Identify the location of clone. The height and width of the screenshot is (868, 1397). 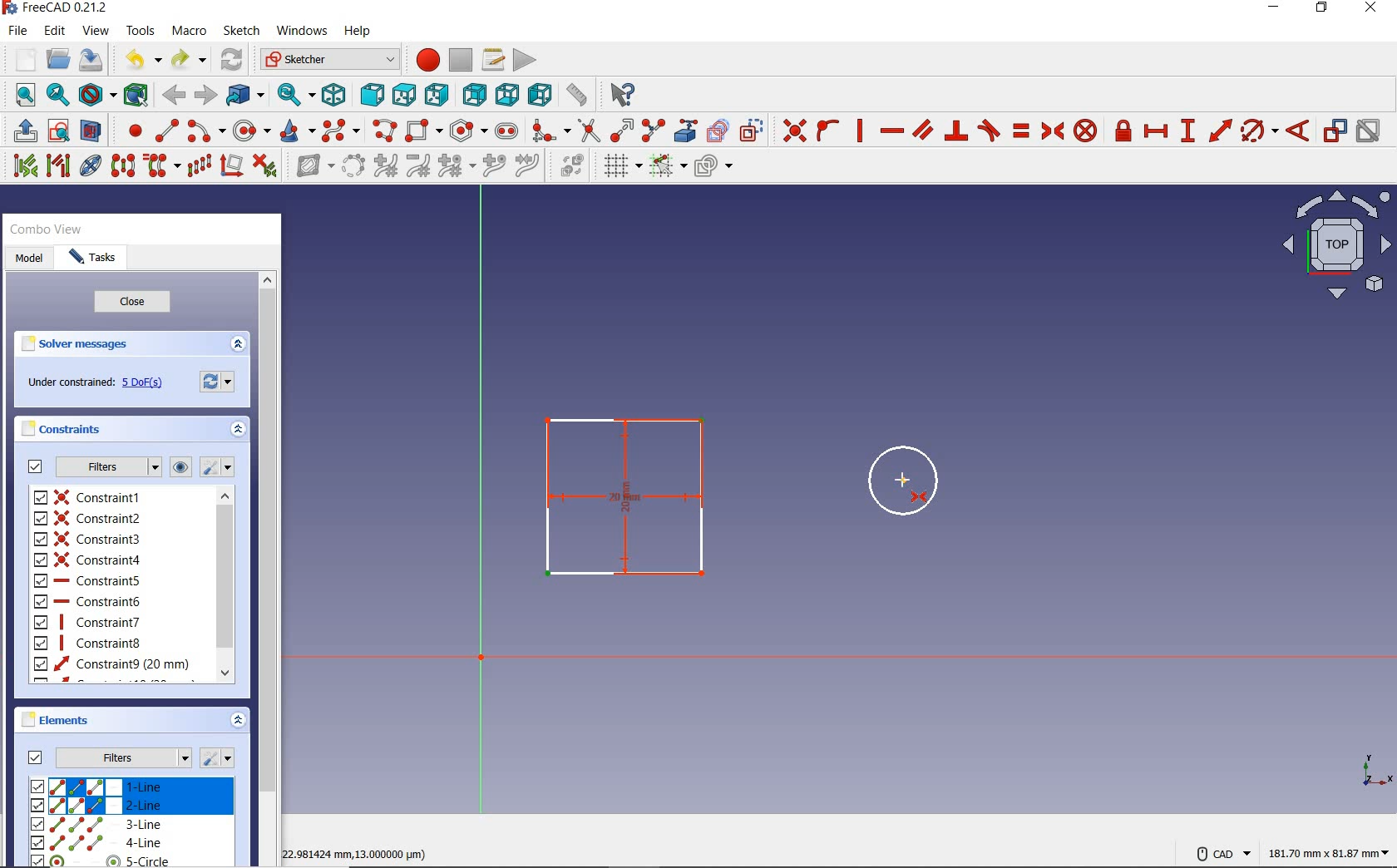
(160, 167).